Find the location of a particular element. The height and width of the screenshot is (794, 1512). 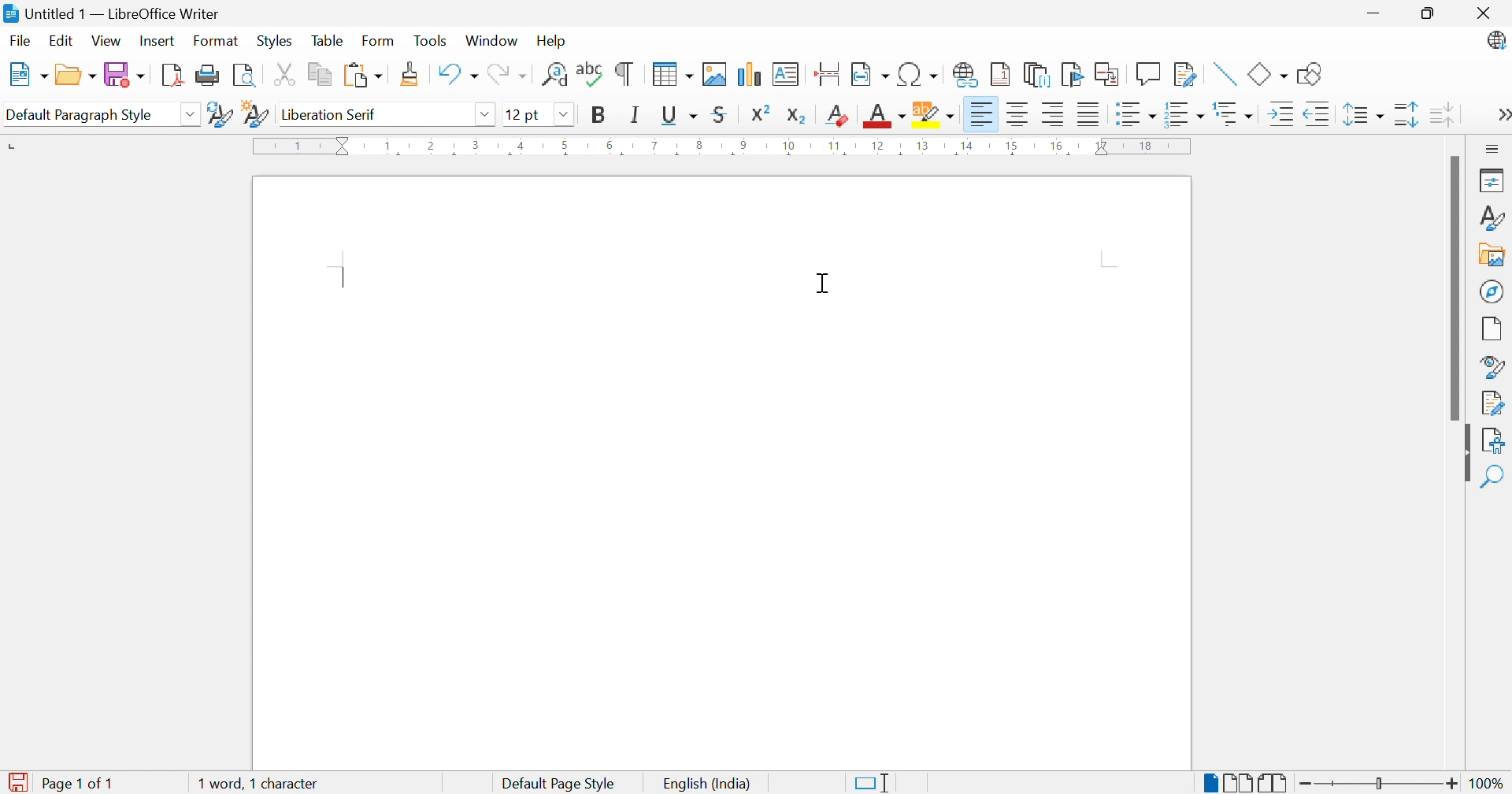

Insert Endnote is located at coordinates (1034, 76).